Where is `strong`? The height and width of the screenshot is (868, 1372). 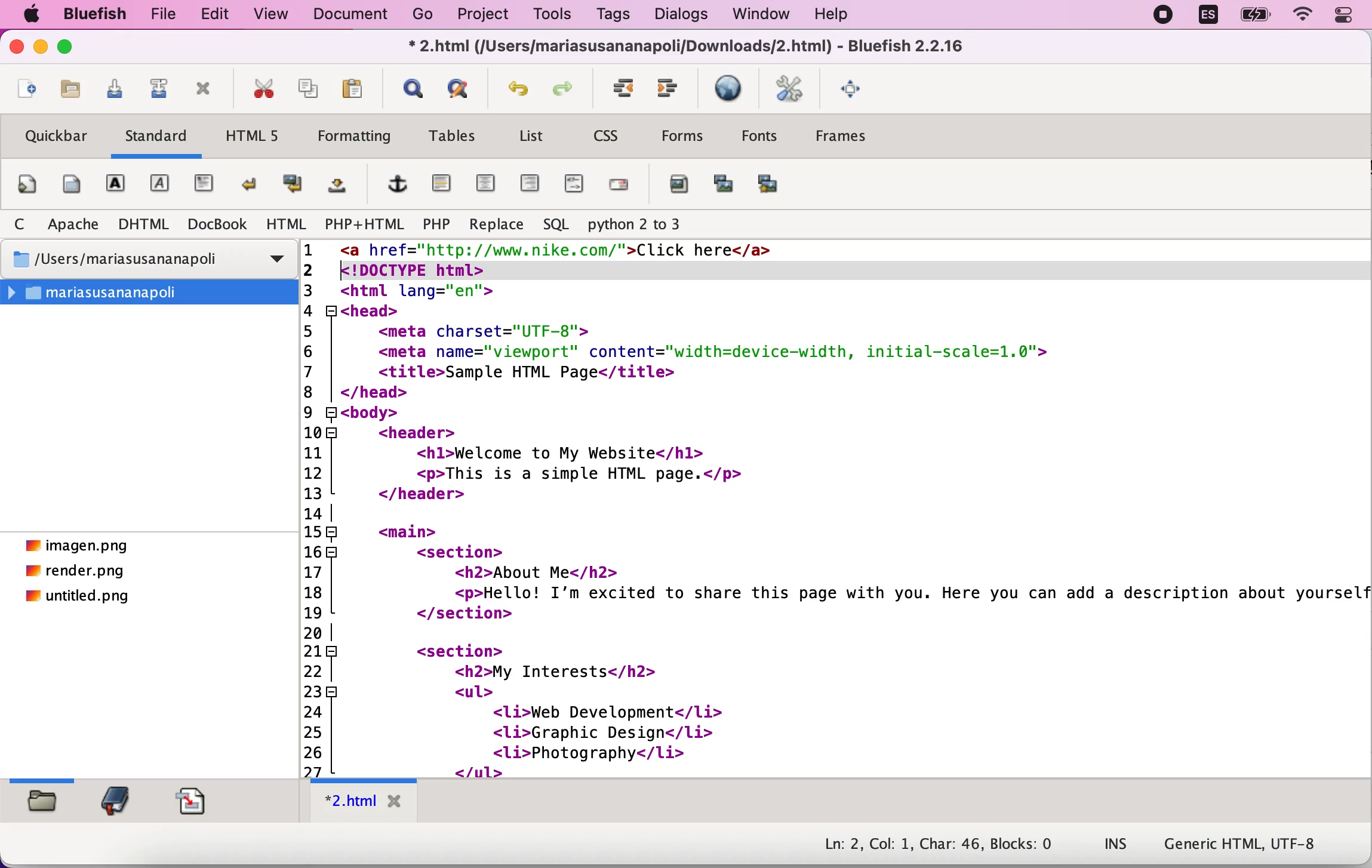
strong is located at coordinates (116, 186).